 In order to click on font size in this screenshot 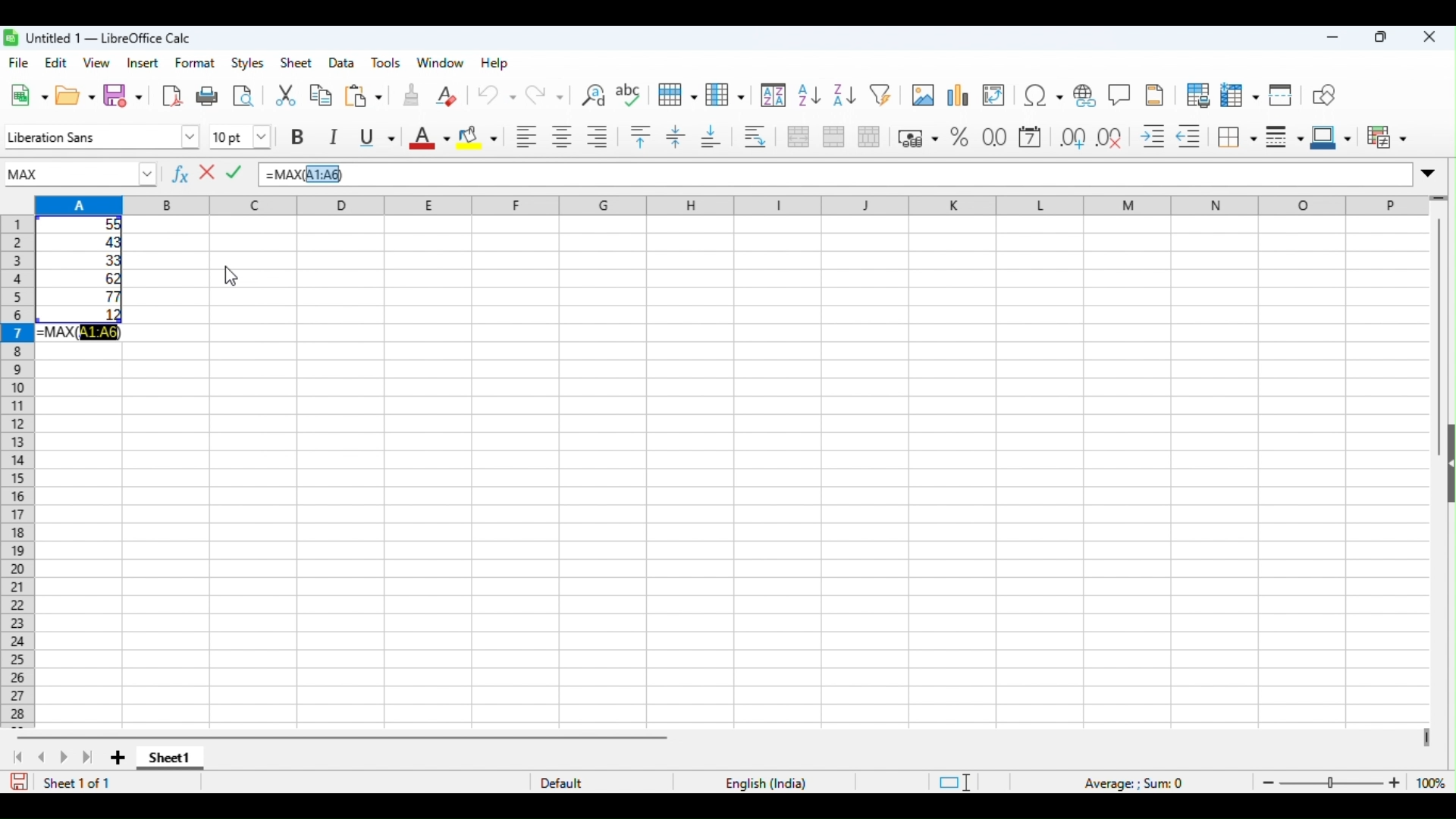, I will do `click(244, 134)`.